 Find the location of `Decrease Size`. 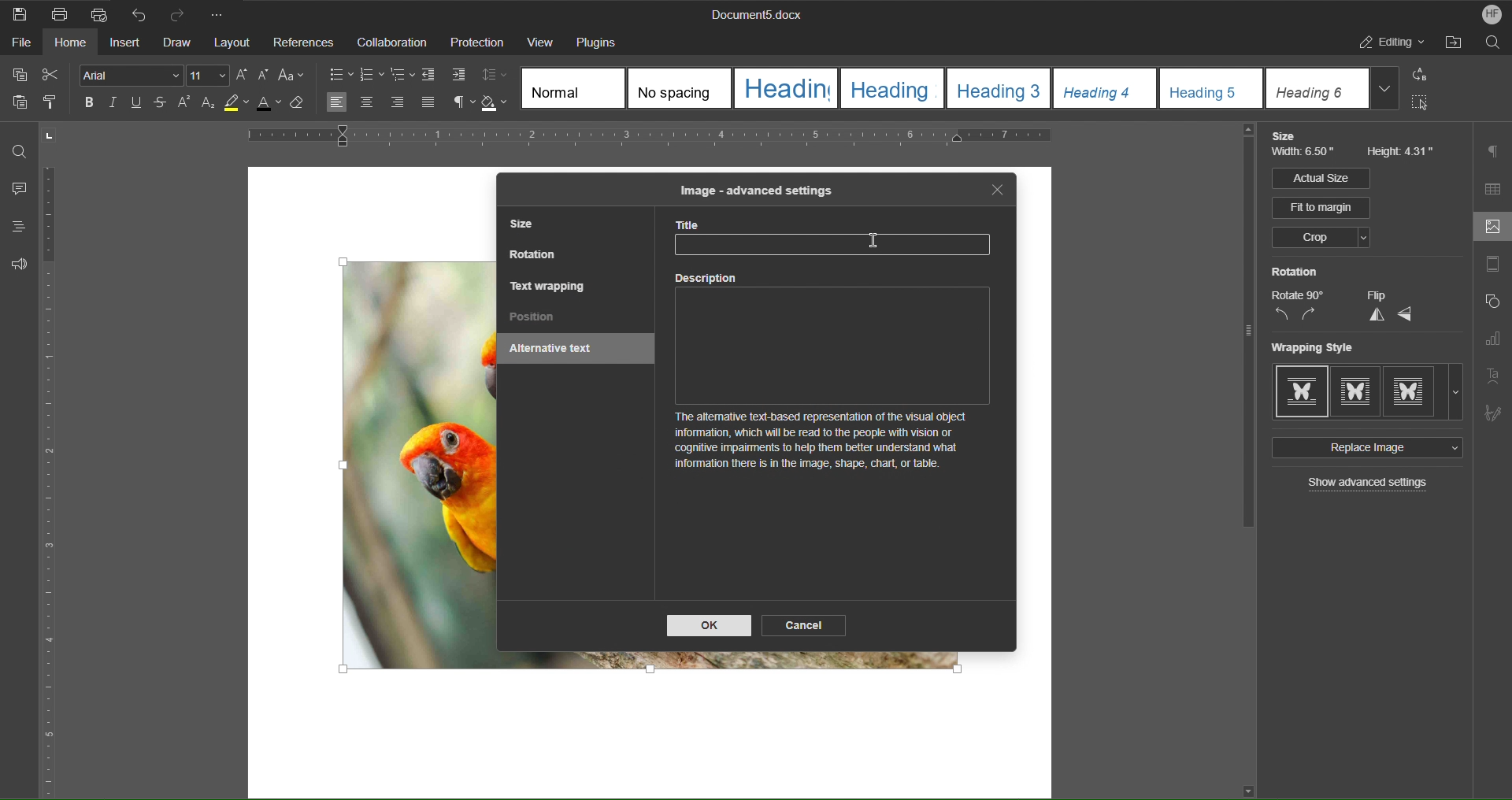

Decrease Size is located at coordinates (266, 76).